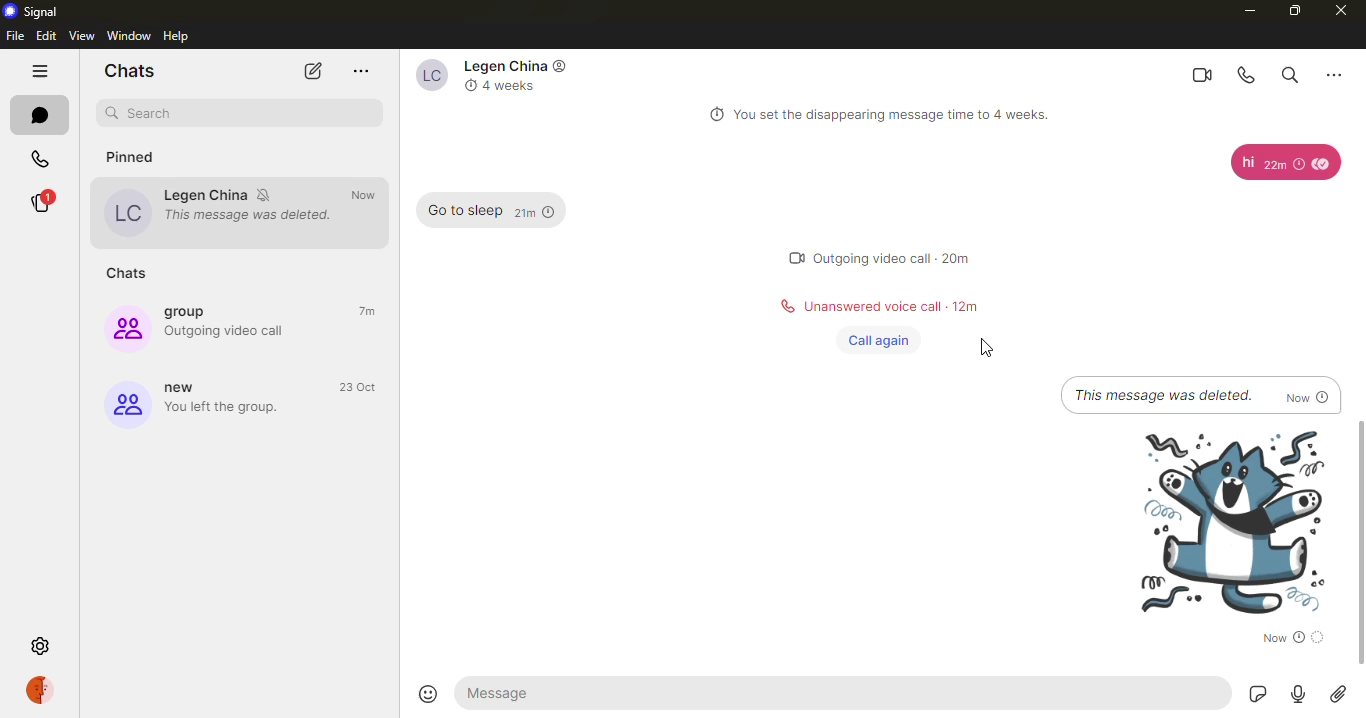  I want to click on icon, so click(563, 68).